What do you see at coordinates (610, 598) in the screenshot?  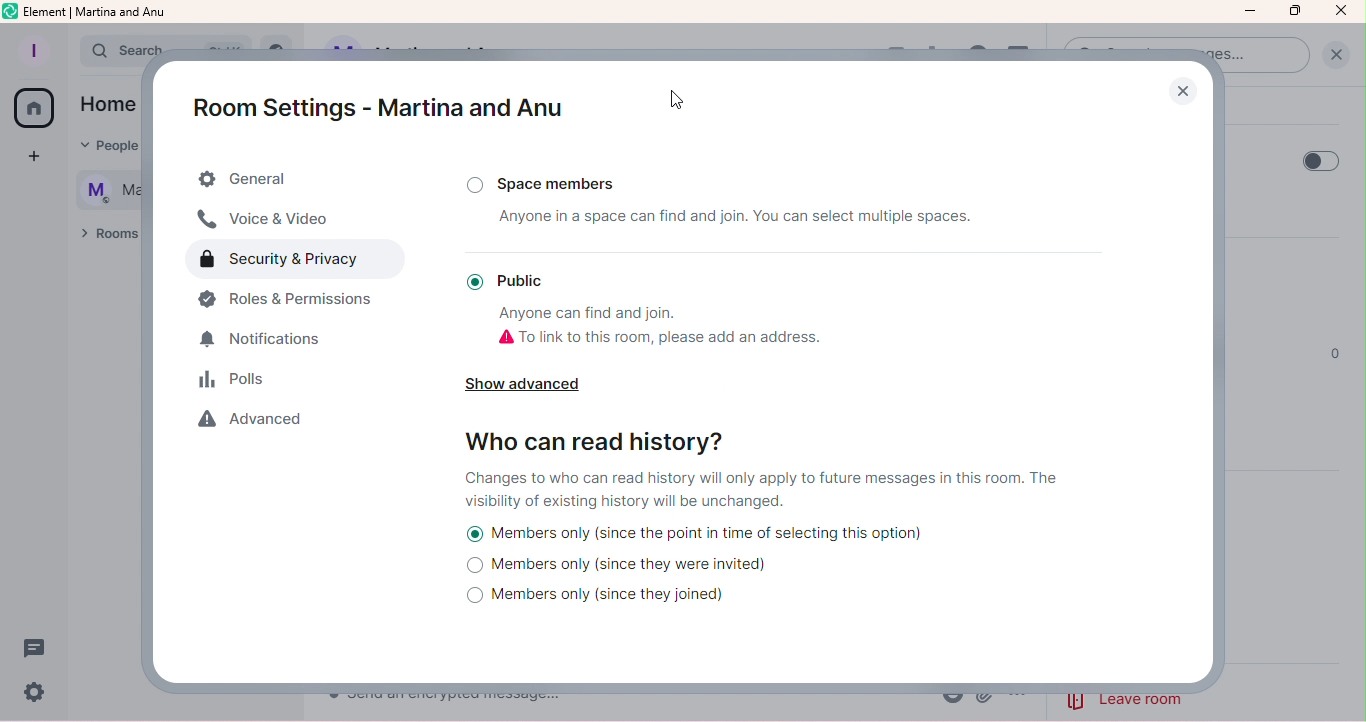 I see `Members only (since they joined)` at bounding box center [610, 598].